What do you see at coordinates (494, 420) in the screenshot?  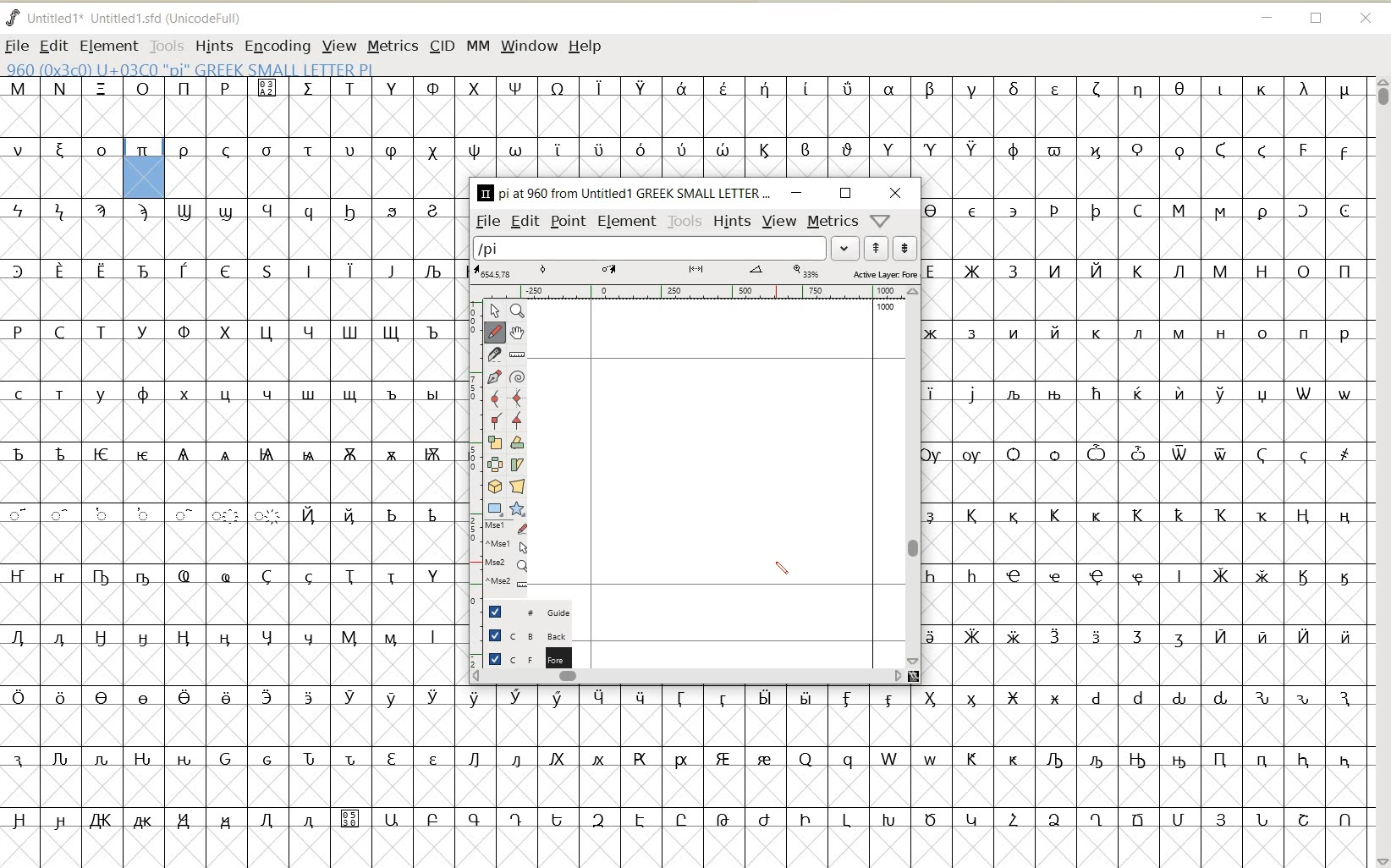 I see `Add a corner point` at bounding box center [494, 420].